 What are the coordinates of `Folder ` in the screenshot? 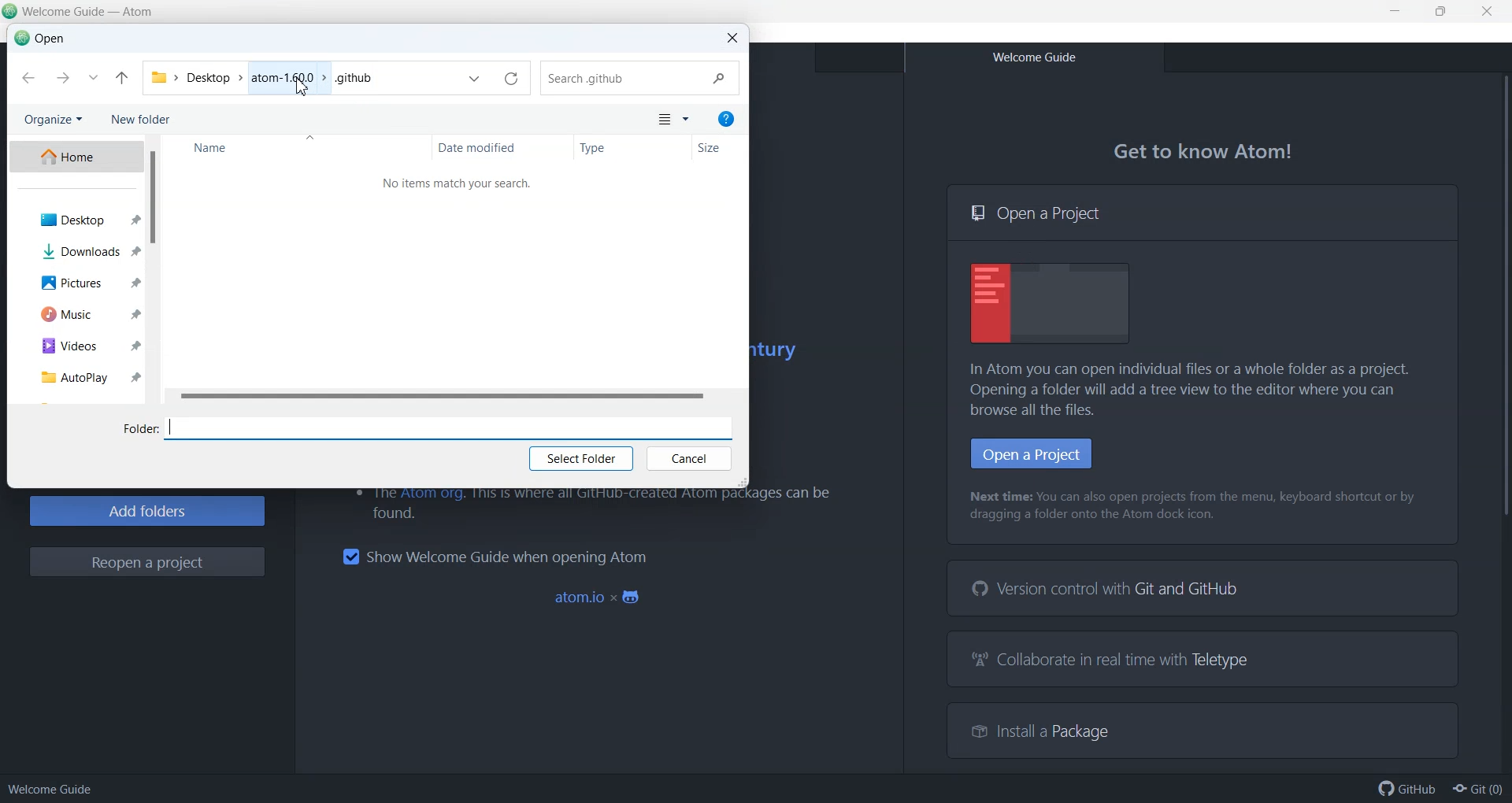 It's located at (139, 430).